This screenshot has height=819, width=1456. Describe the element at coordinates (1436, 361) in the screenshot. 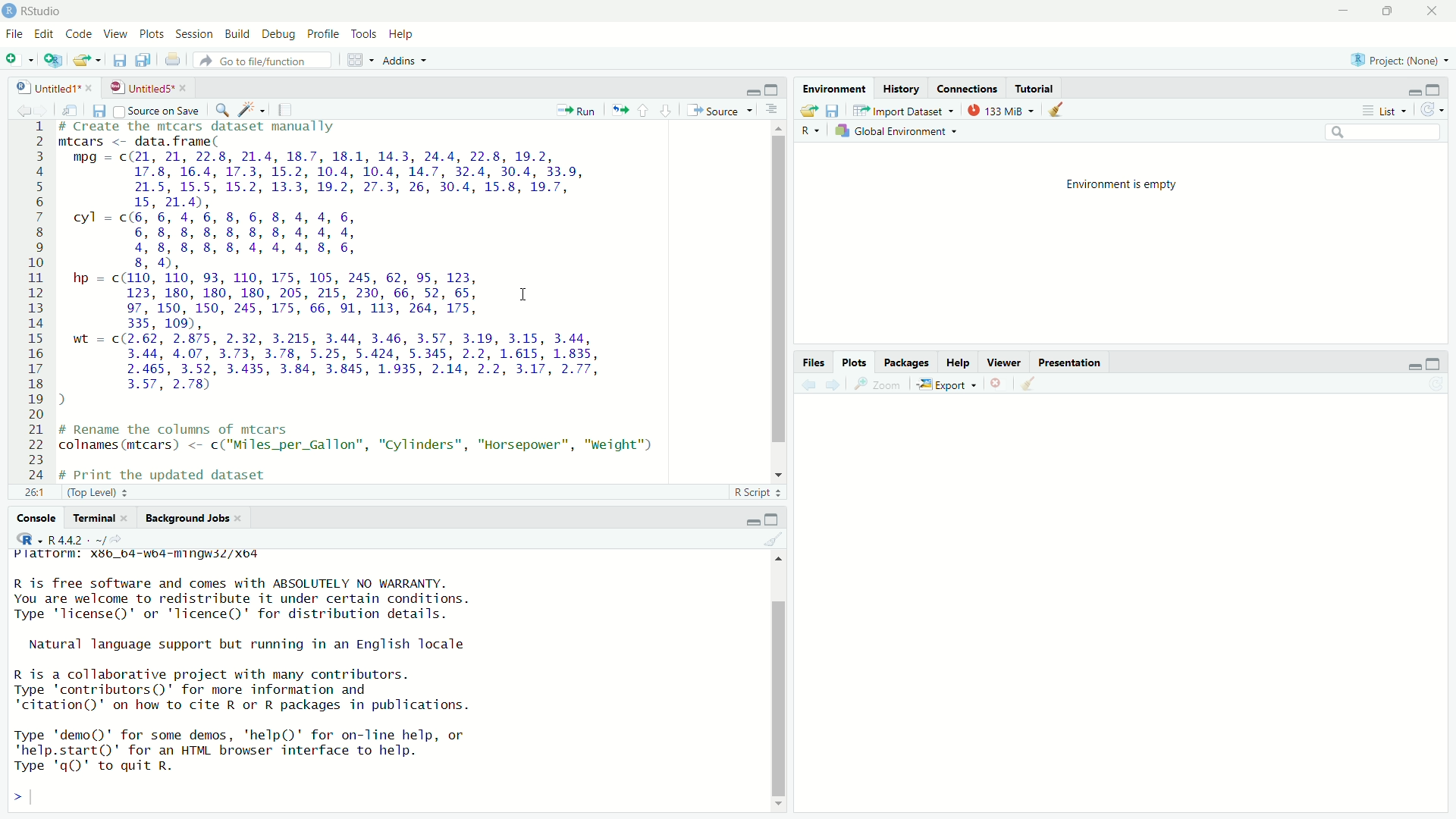

I see `maximise` at that location.